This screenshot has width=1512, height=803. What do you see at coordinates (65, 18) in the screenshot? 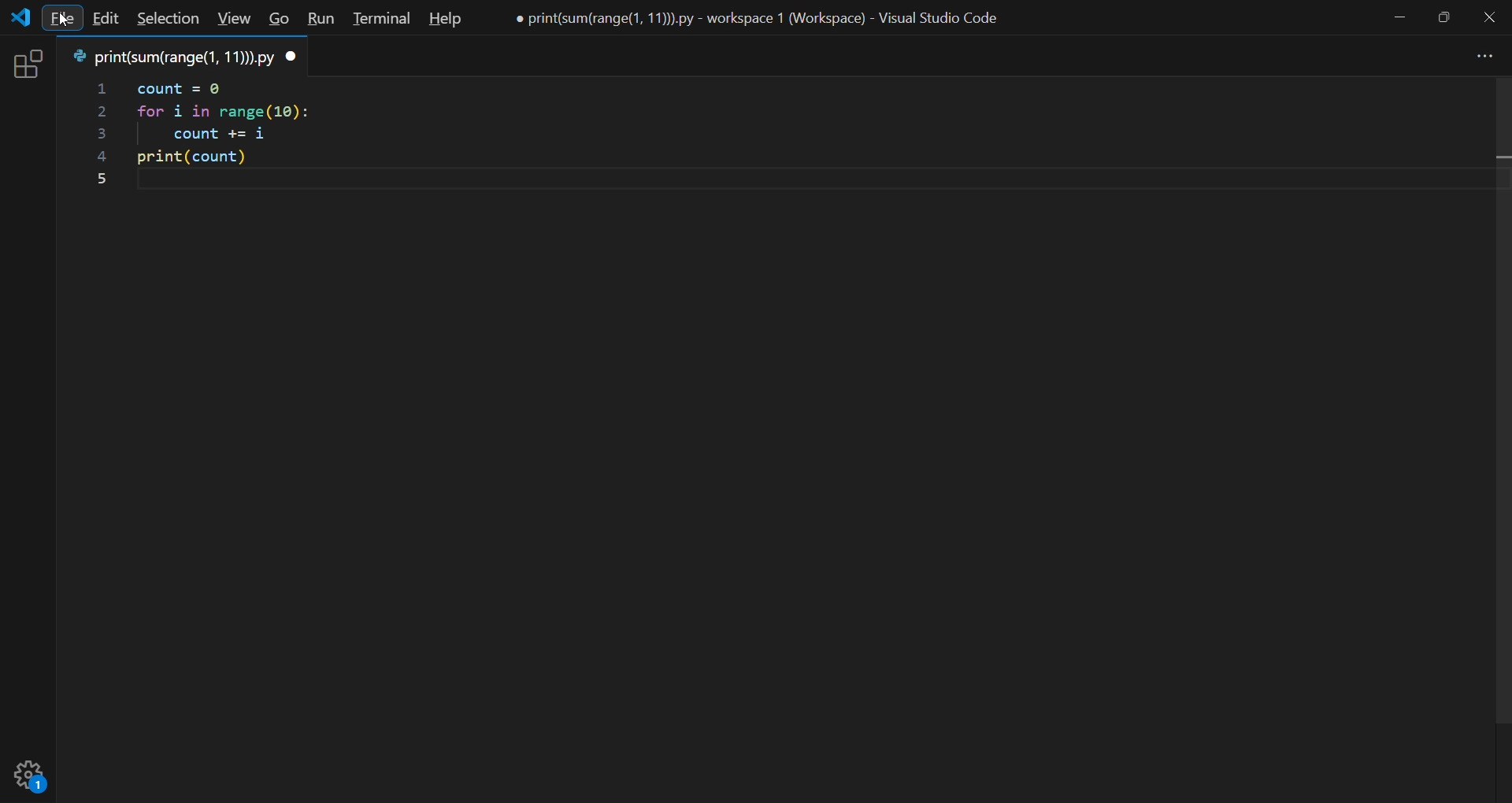
I see `cursor` at bounding box center [65, 18].